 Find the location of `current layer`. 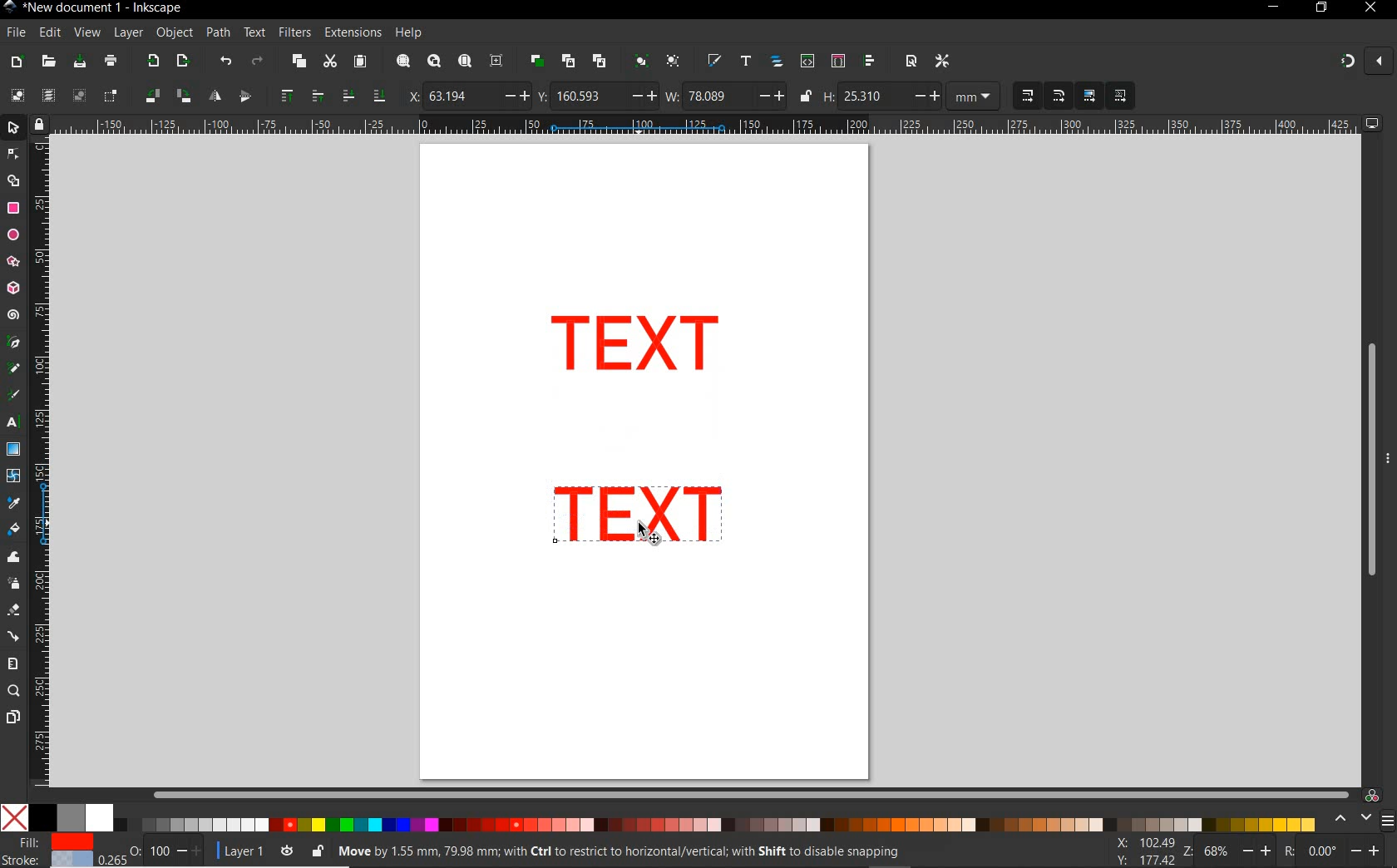

current layer is located at coordinates (236, 849).